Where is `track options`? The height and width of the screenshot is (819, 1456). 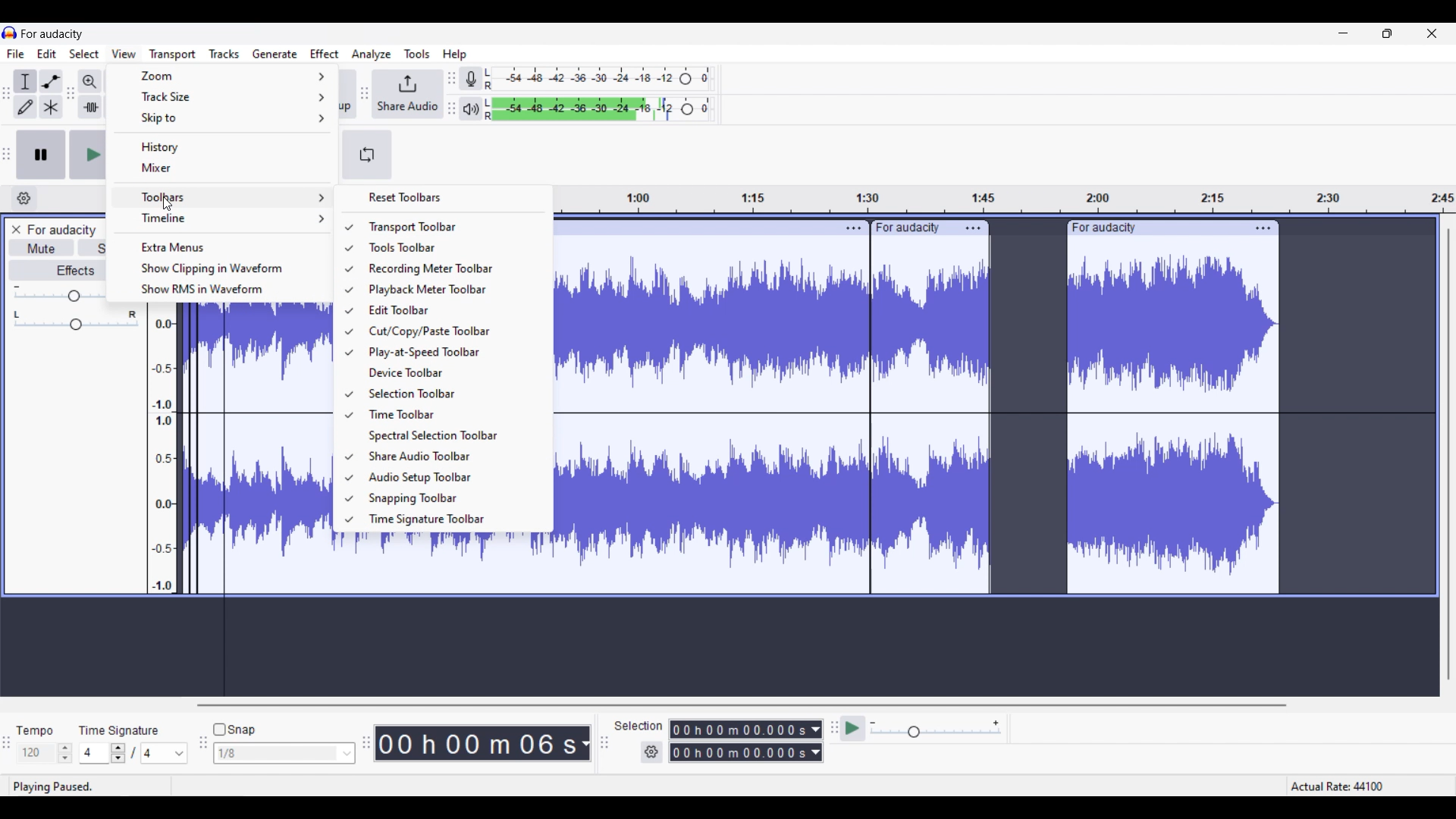
track options is located at coordinates (1262, 227).